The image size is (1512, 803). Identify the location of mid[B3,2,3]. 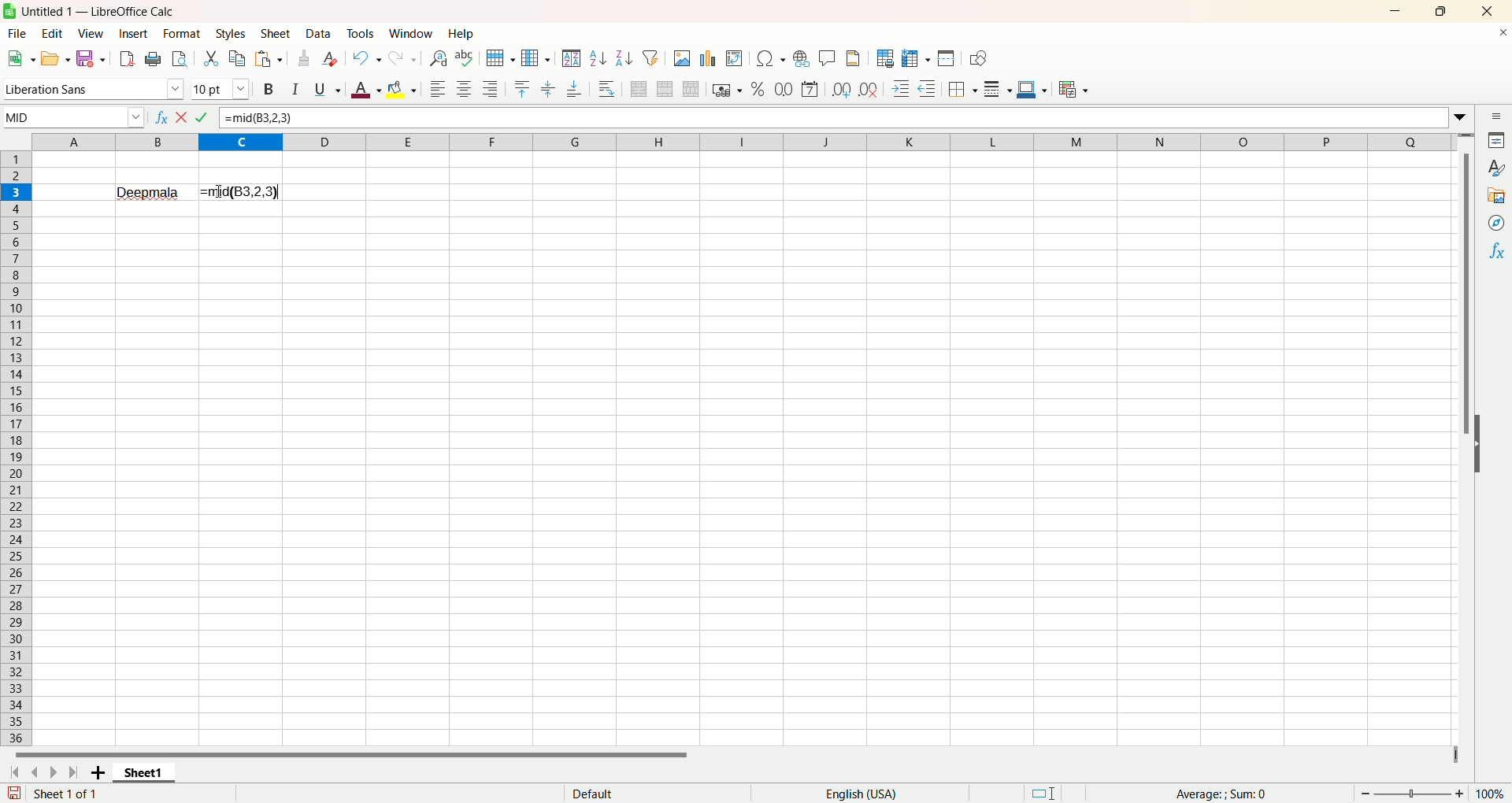
(242, 192).